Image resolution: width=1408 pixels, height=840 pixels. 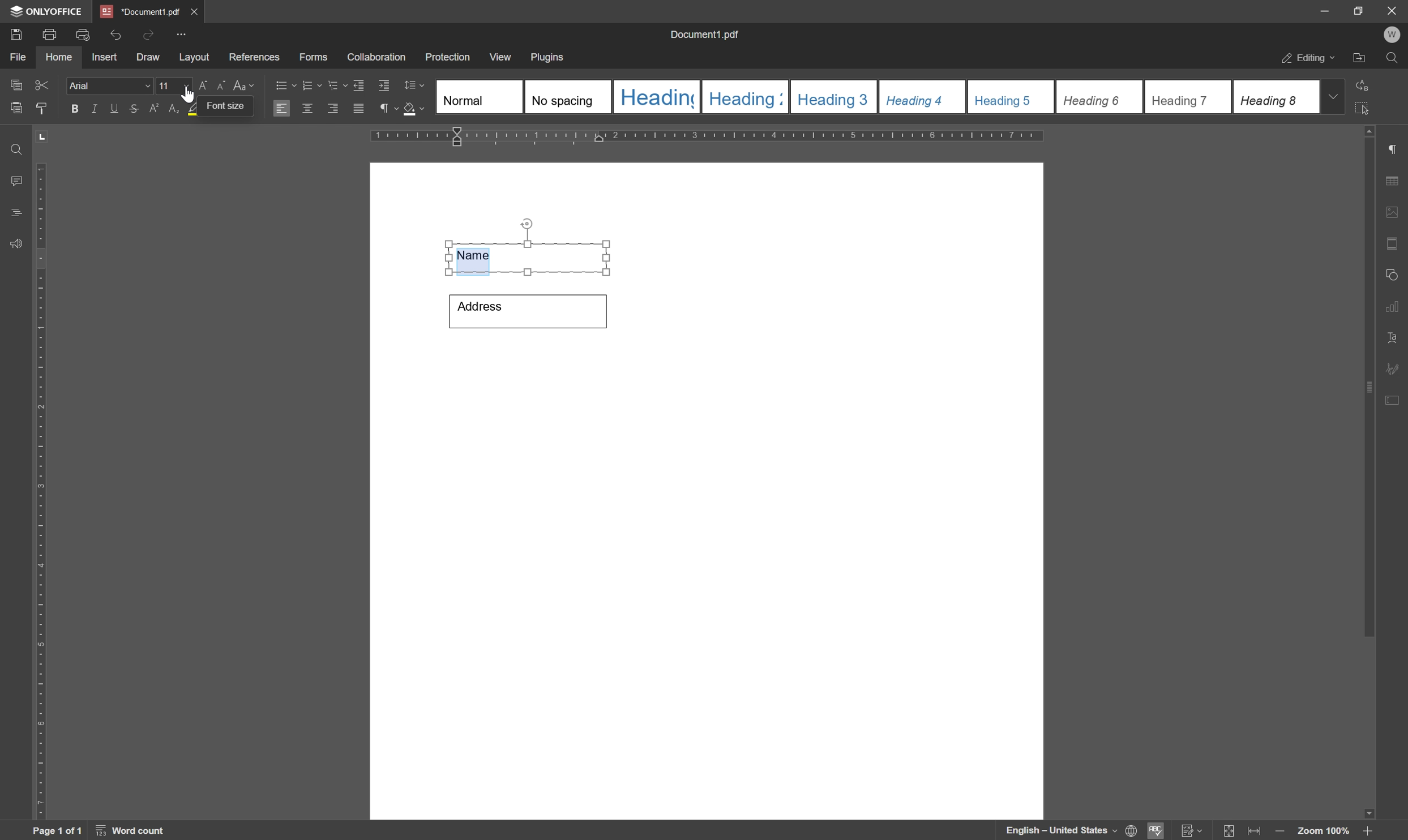 What do you see at coordinates (80, 33) in the screenshot?
I see `quick print` at bounding box center [80, 33].